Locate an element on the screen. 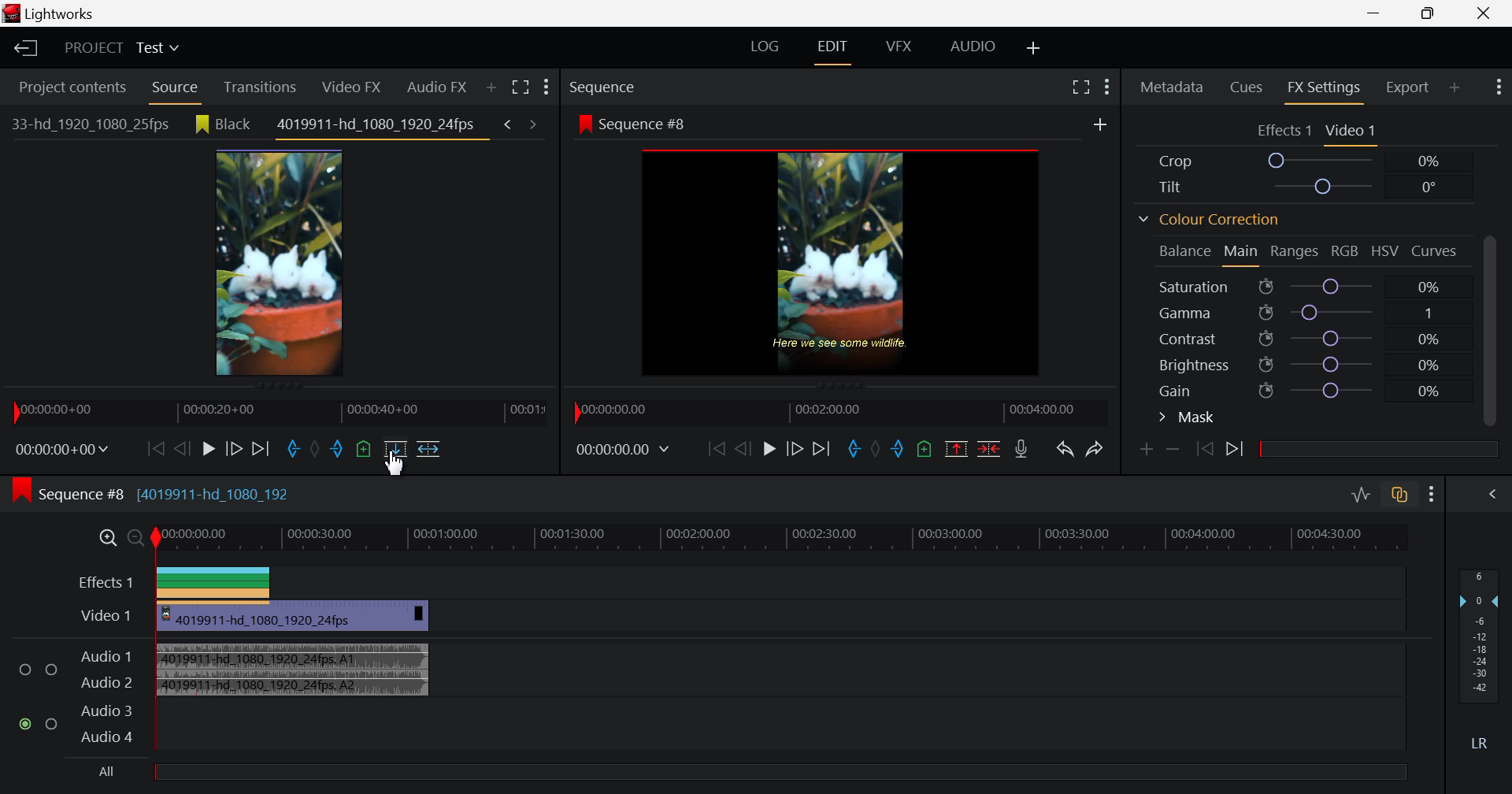  Restore Down is located at coordinates (1378, 13).